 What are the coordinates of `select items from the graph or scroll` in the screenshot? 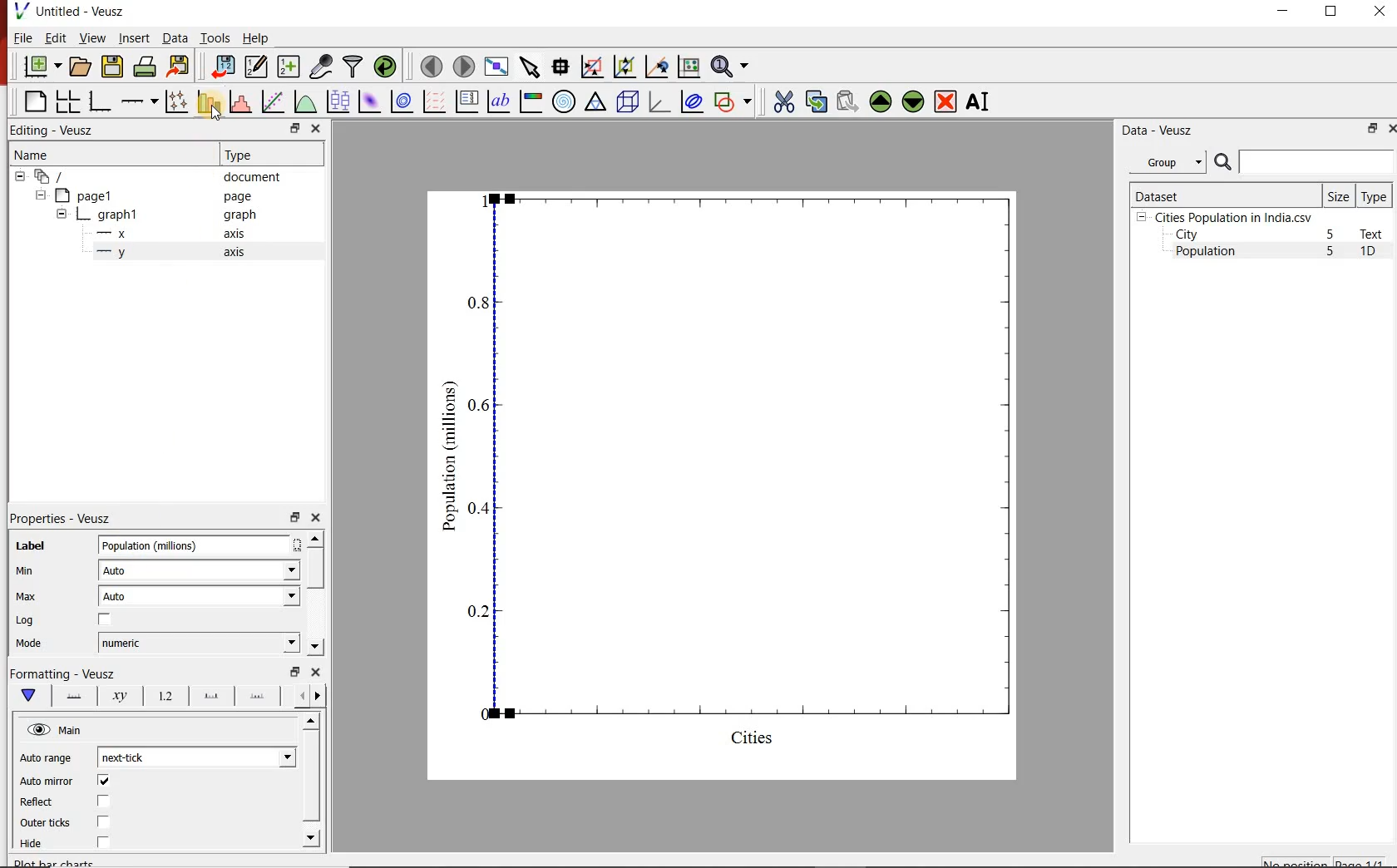 It's located at (529, 66).